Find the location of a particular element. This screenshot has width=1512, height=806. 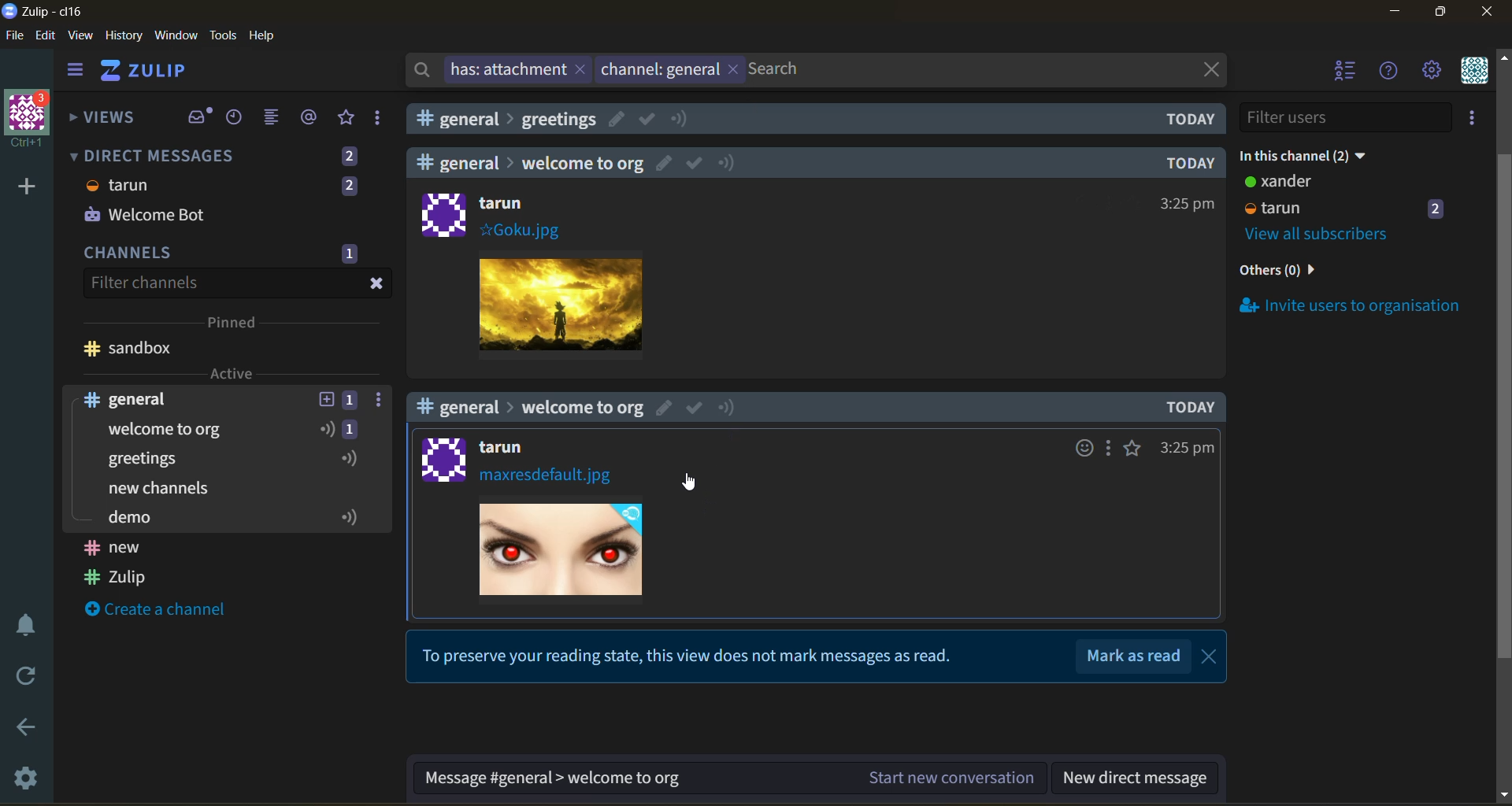

inbox is located at coordinates (198, 116).